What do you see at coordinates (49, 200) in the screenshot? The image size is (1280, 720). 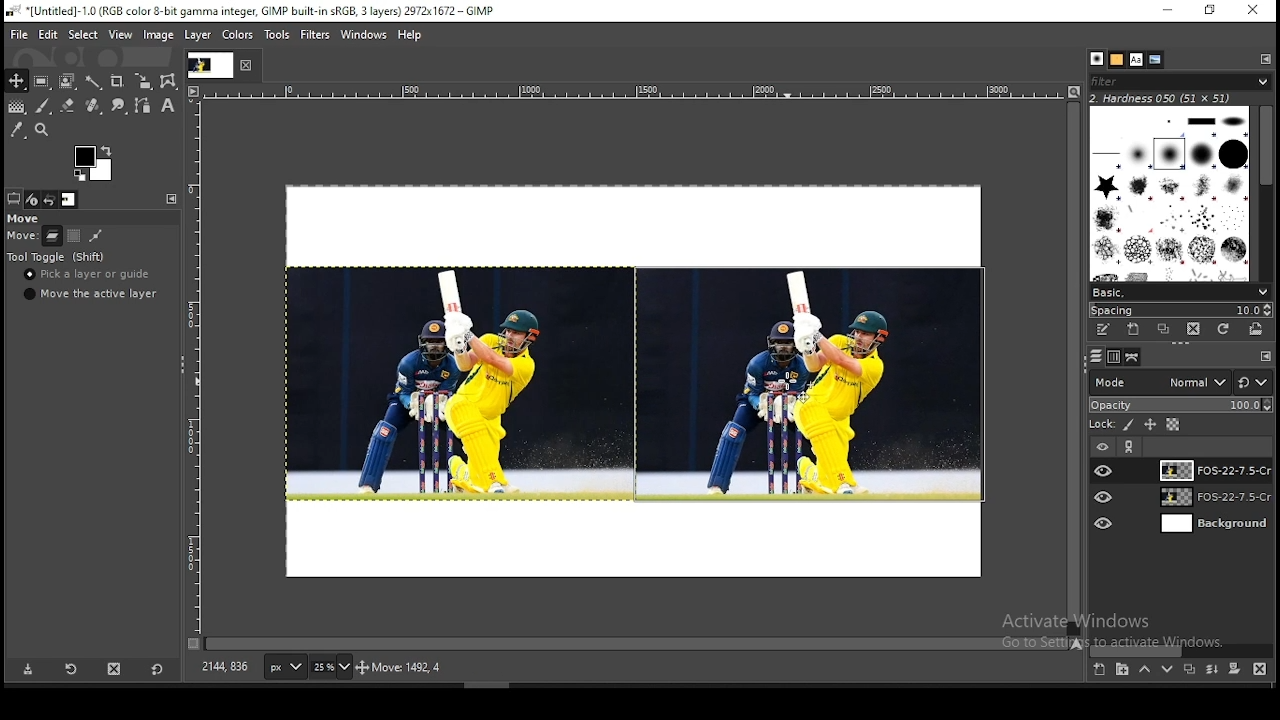 I see `undo history` at bounding box center [49, 200].